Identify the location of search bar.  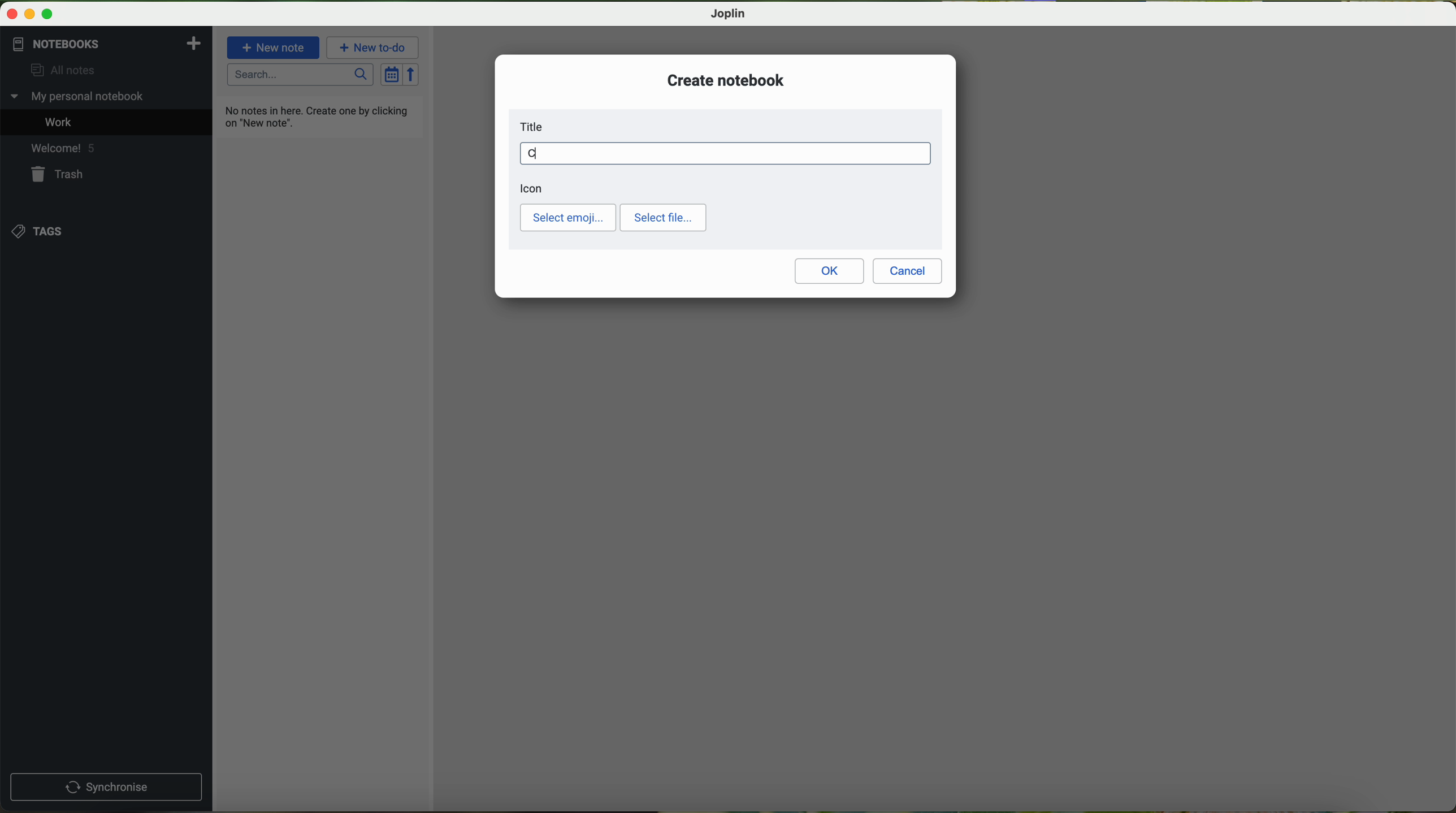
(301, 75).